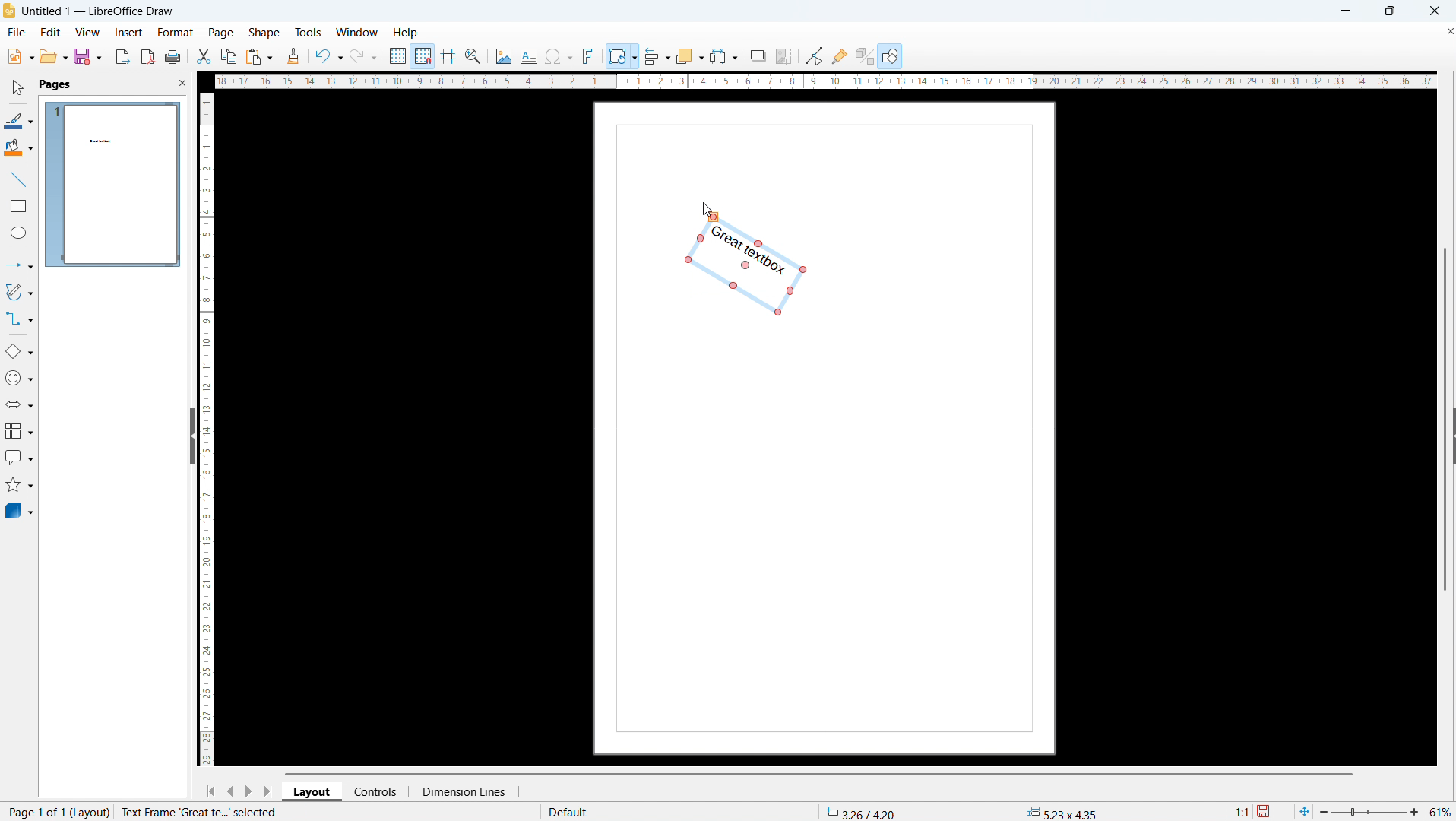  Describe the element at coordinates (724, 55) in the screenshot. I see `select at least 3 objects to distribute` at that location.